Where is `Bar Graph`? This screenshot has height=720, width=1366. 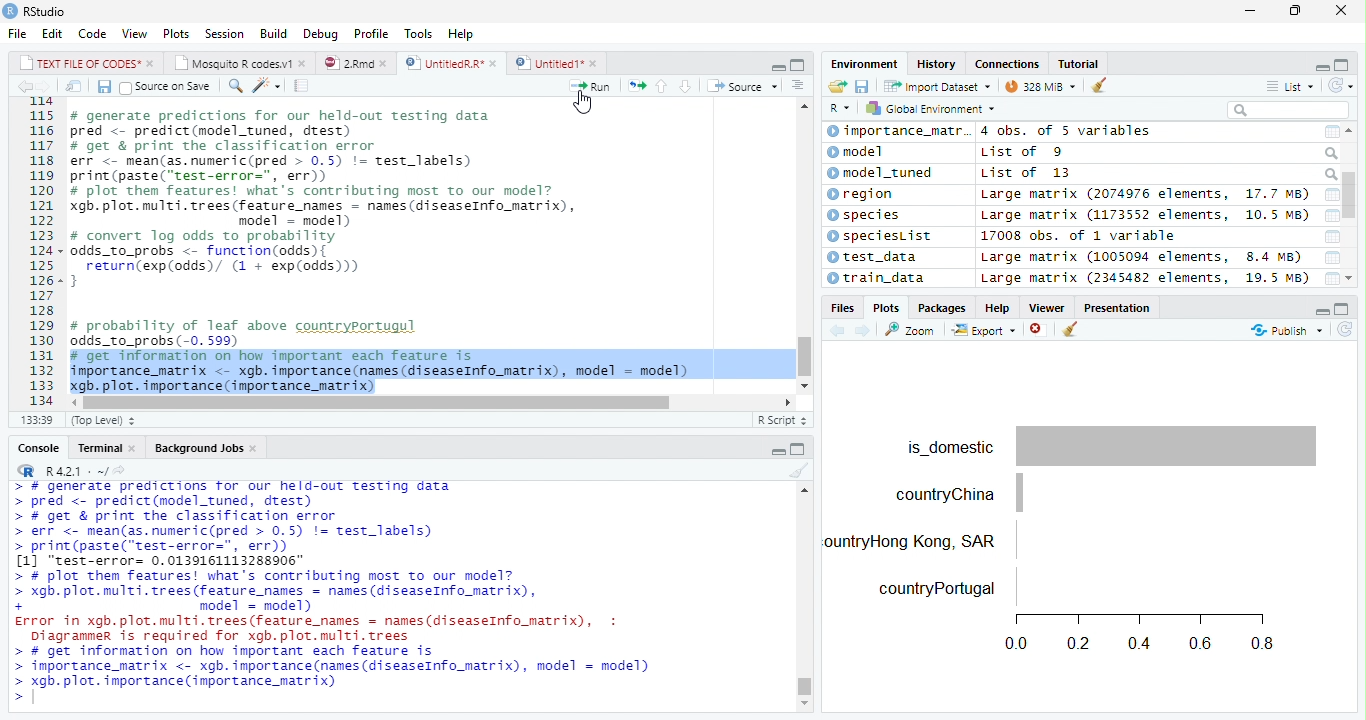 Bar Graph is located at coordinates (1083, 536).